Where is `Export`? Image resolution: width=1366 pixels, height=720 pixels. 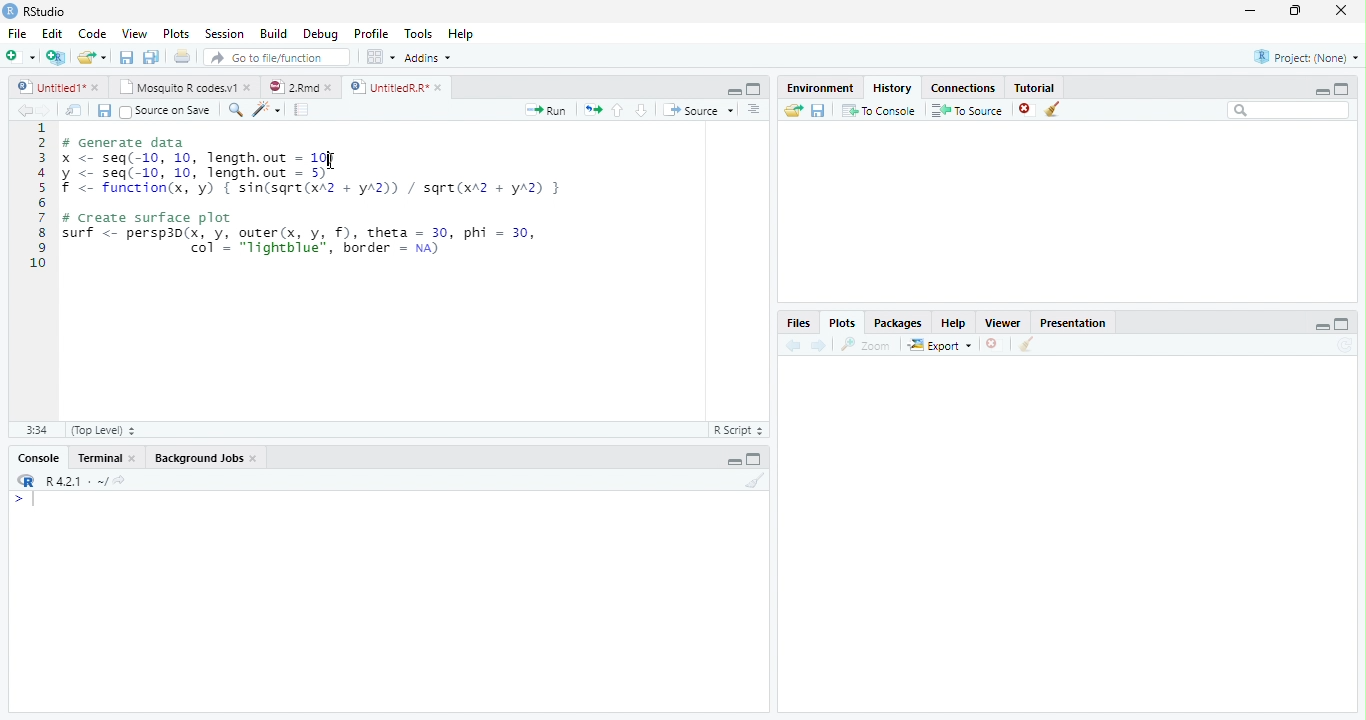
Export is located at coordinates (940, 345).